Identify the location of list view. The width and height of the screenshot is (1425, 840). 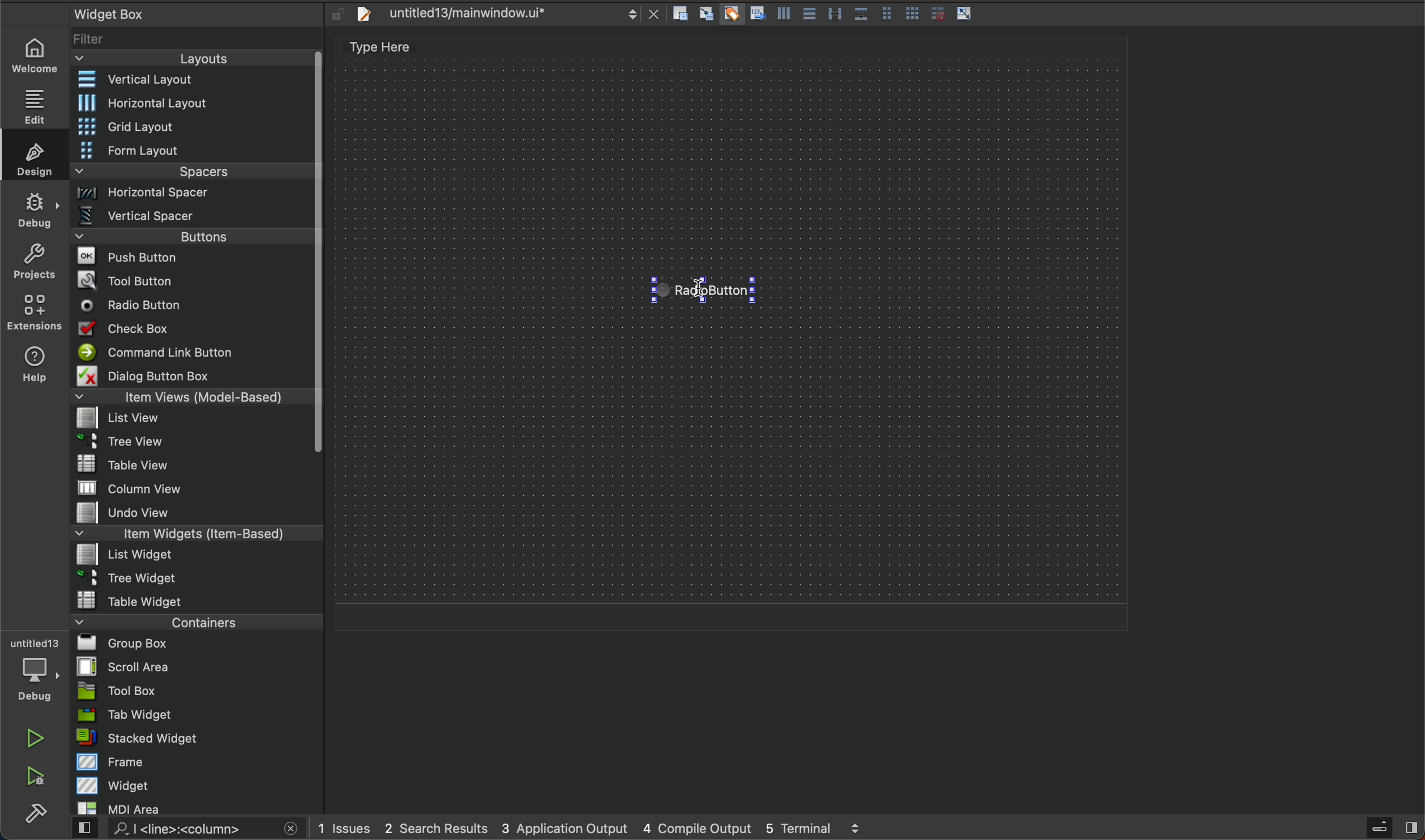
(190, 422).